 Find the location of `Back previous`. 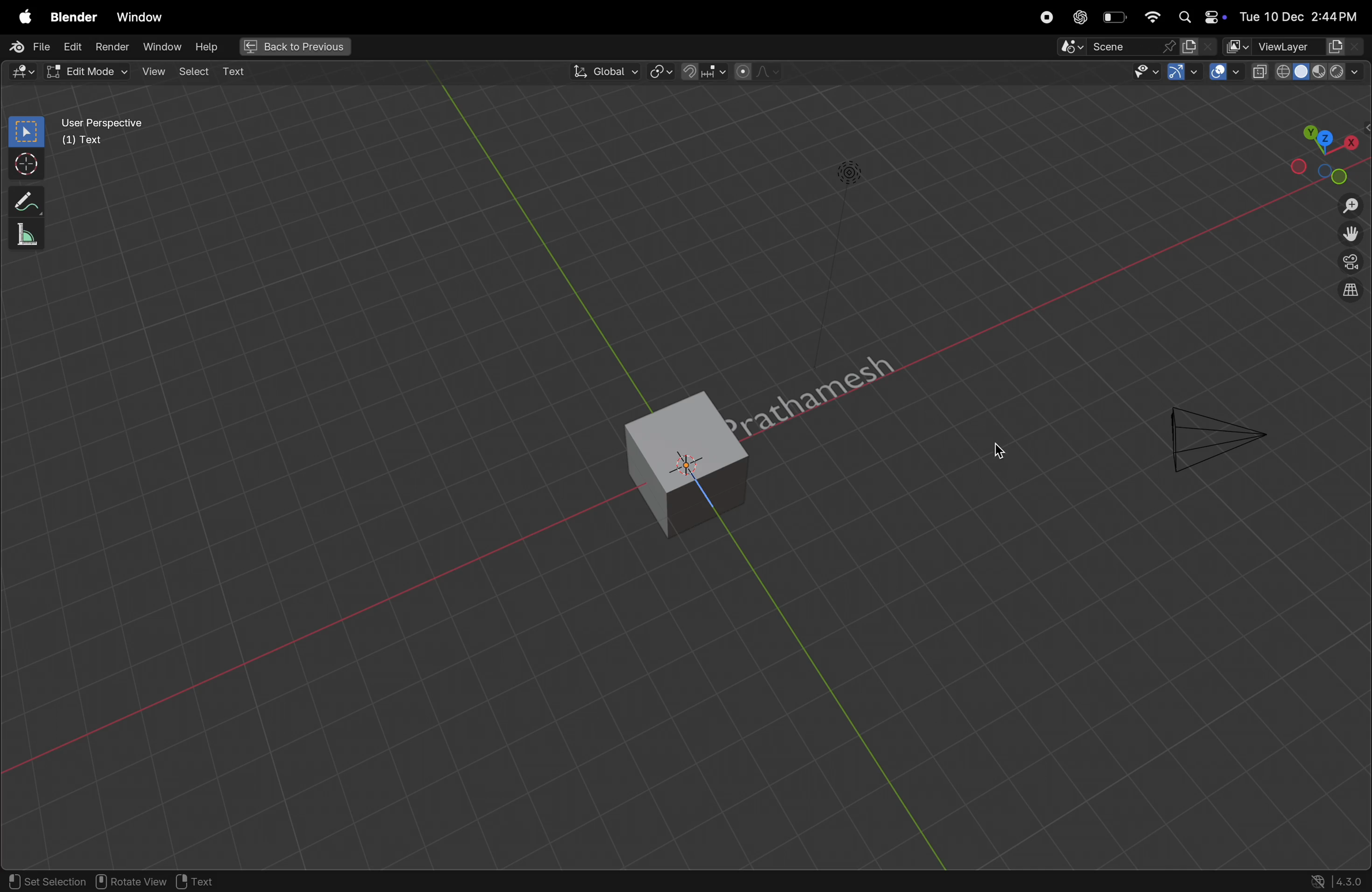

Back previous is located at coordinates (295, 47).